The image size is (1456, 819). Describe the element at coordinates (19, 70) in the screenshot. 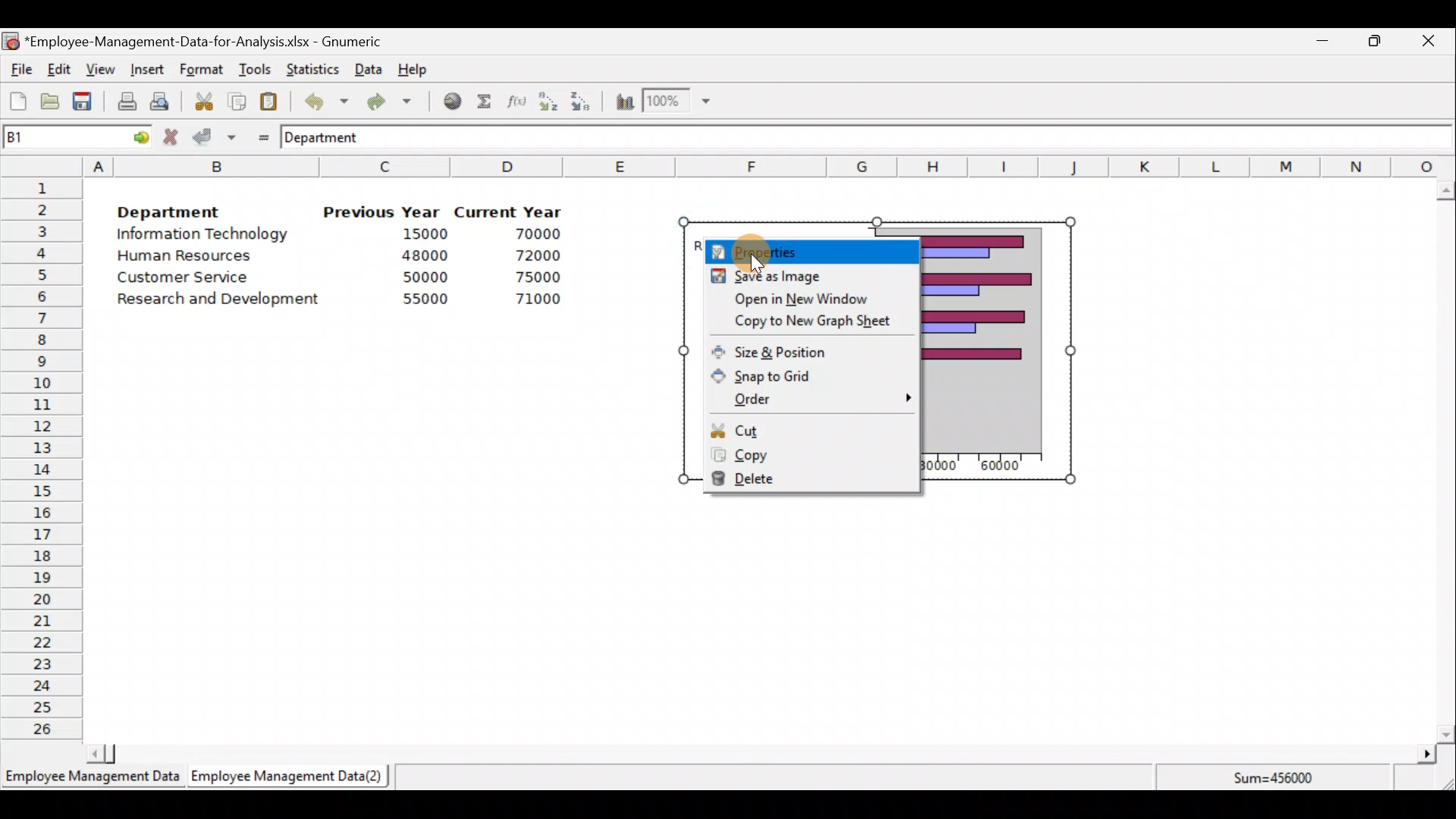

I see `File` at that location.